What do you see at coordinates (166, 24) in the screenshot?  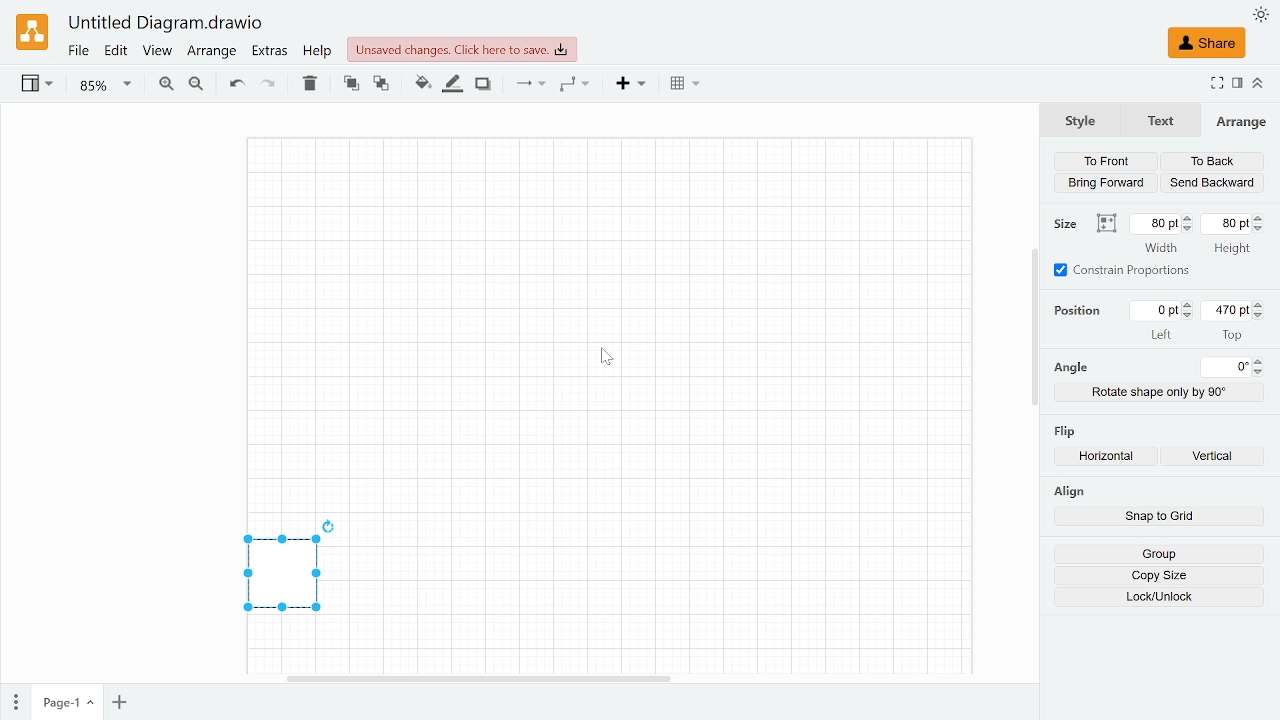 I see `Untitled Diagram.draw.io` at bounding box center [166, 24].